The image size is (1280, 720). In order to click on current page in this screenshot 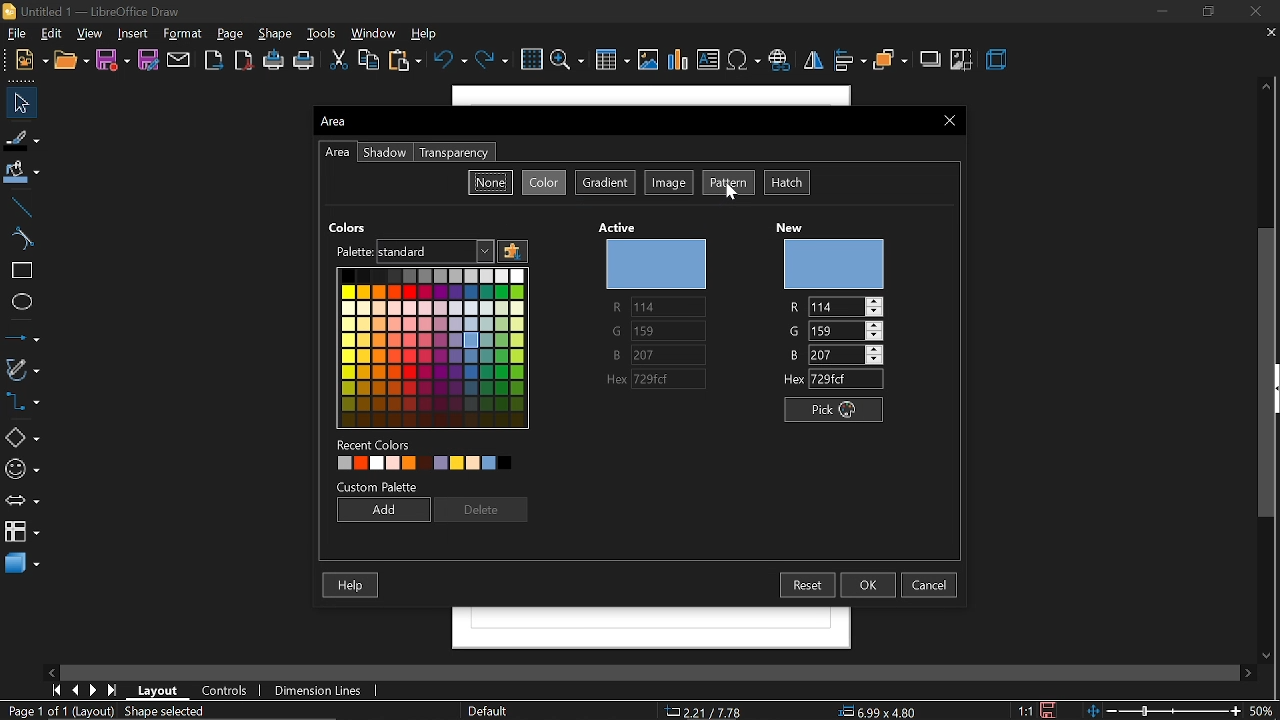, I will do `click(59, 711)`.